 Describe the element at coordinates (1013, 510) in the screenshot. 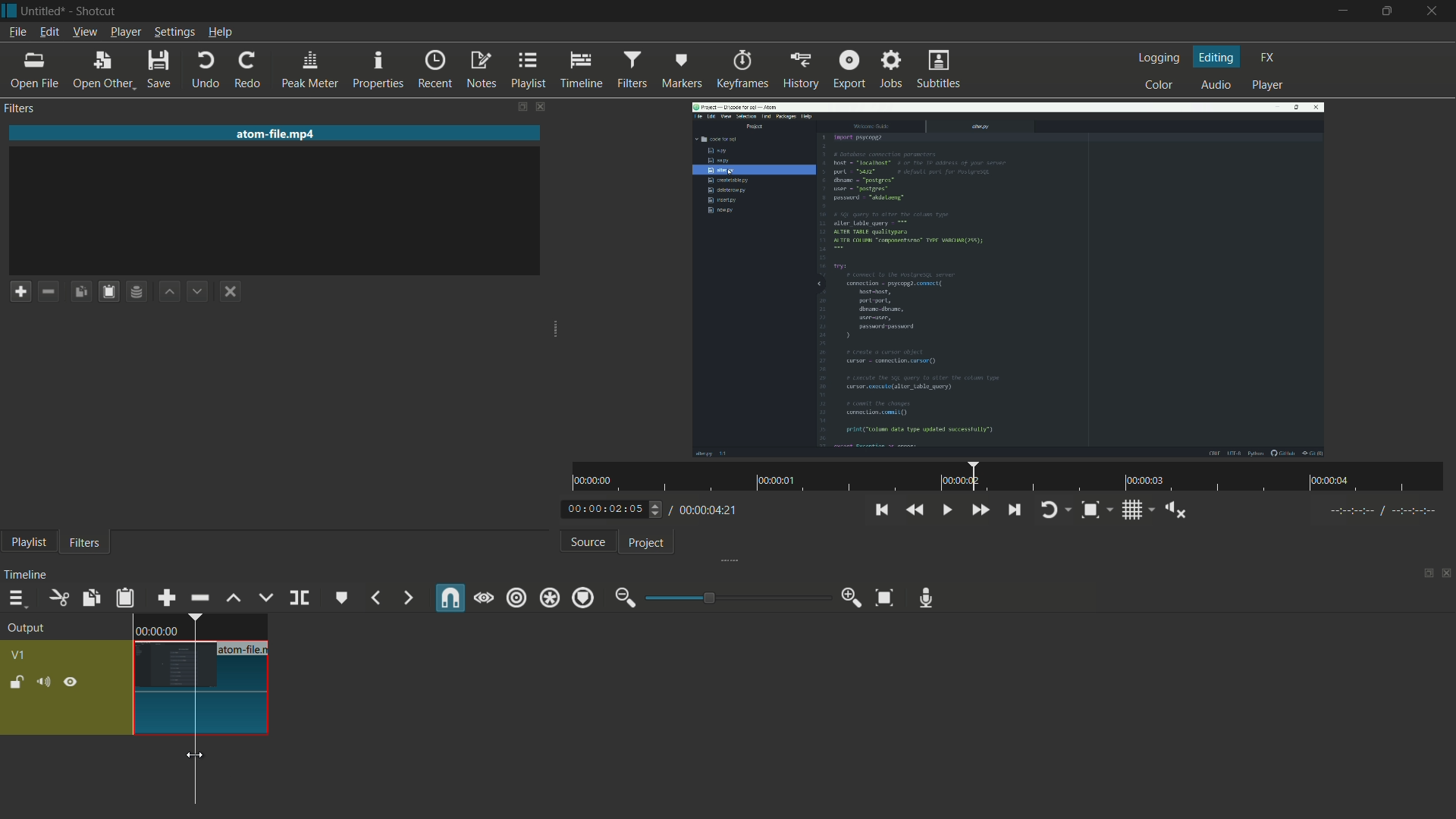

I see `skip to the next point` at that location.